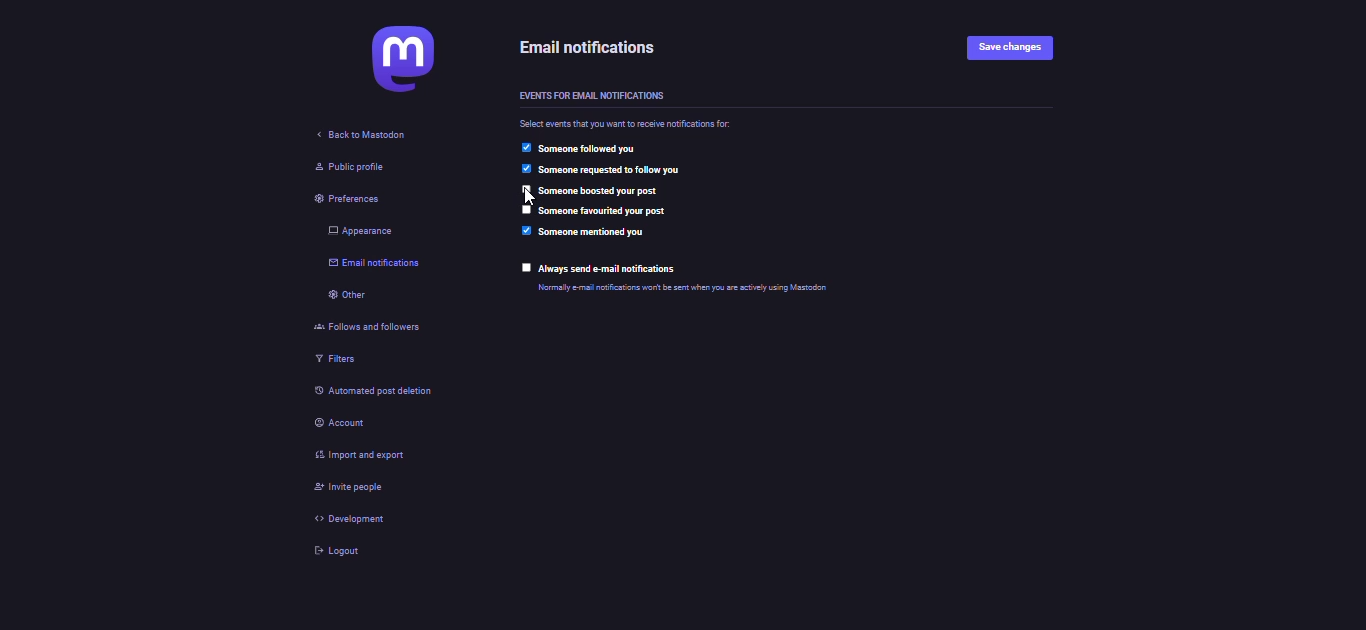 The height and width of the screenshot is (630, 1366). Describe the element at coordinates (526, 209) in the screenshot. I see `click to enable` at that location.